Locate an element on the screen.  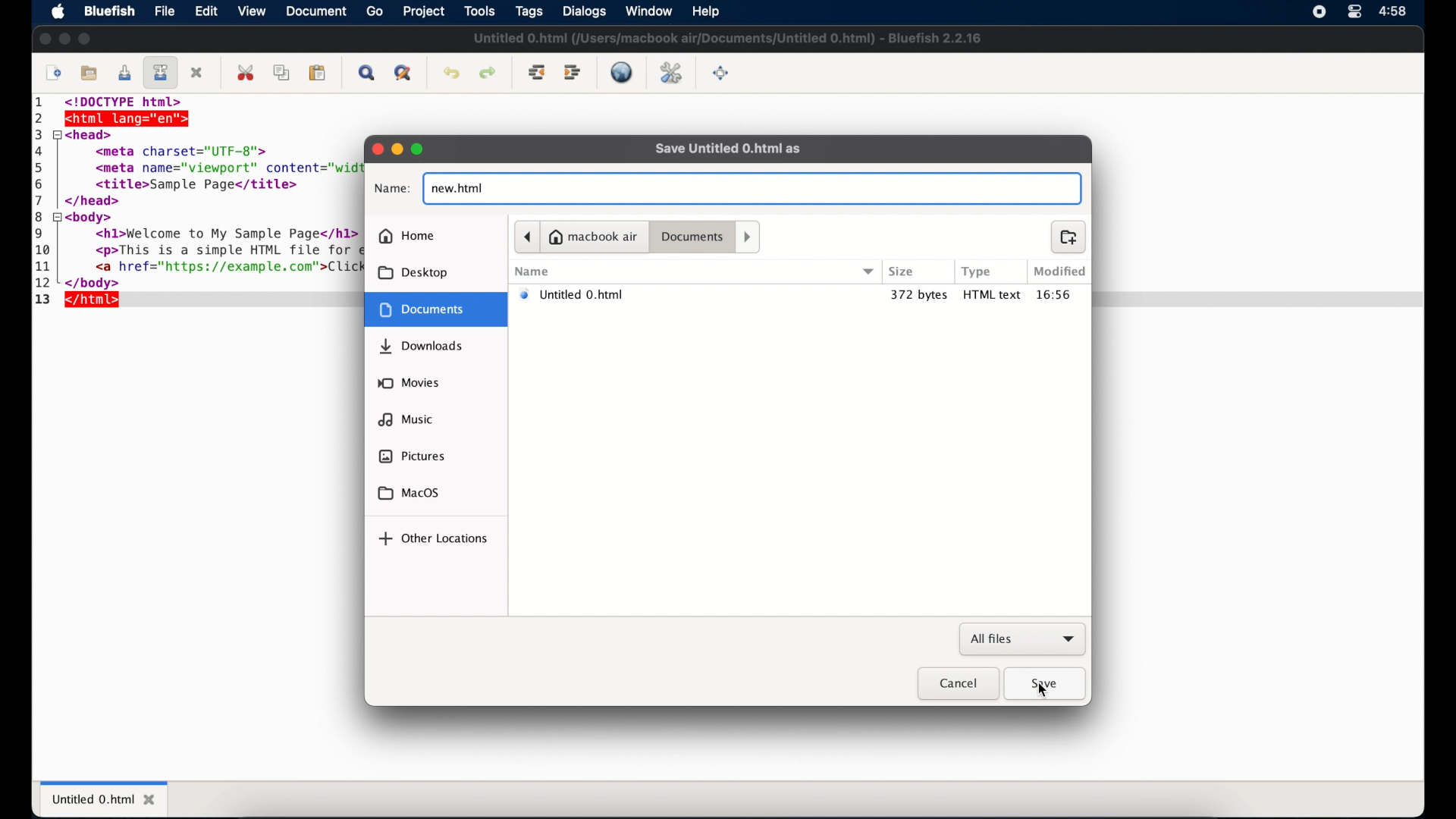
type is located at coordinates (979, 272).